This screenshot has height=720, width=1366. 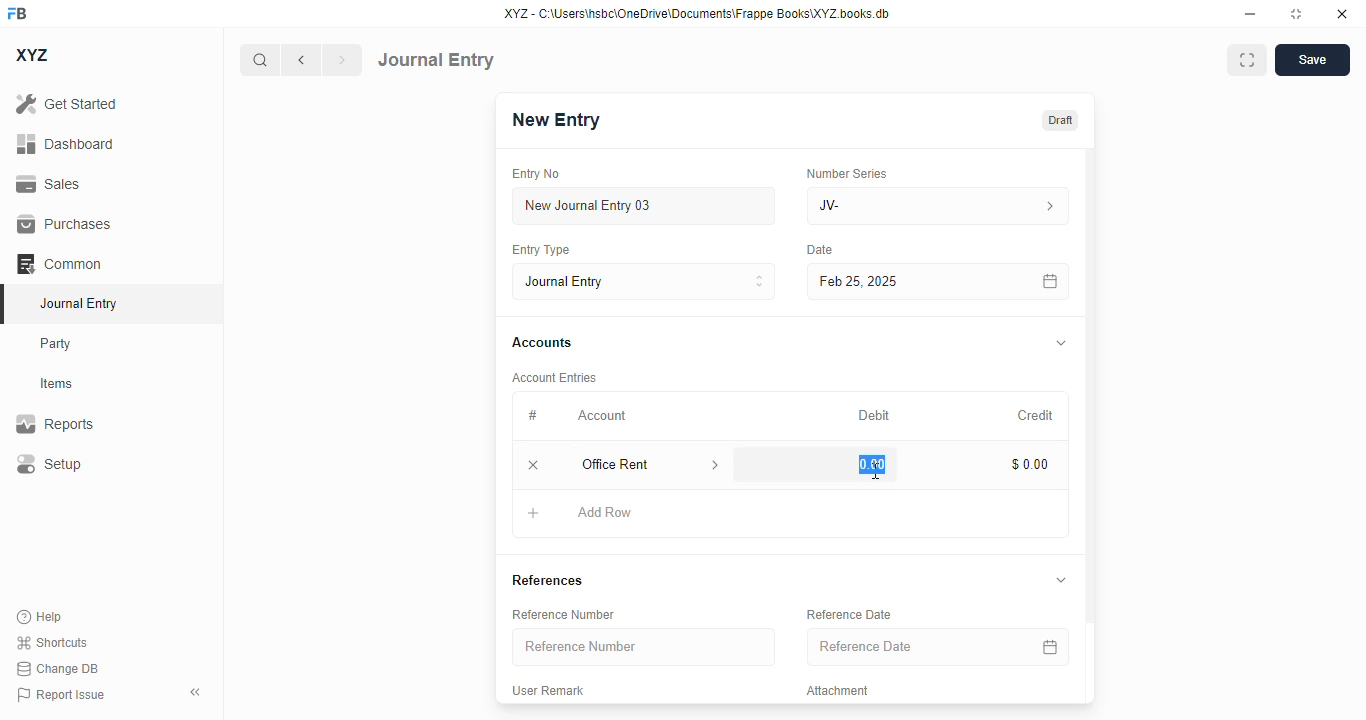 I want to click on add row, so click(x=603, y=512).